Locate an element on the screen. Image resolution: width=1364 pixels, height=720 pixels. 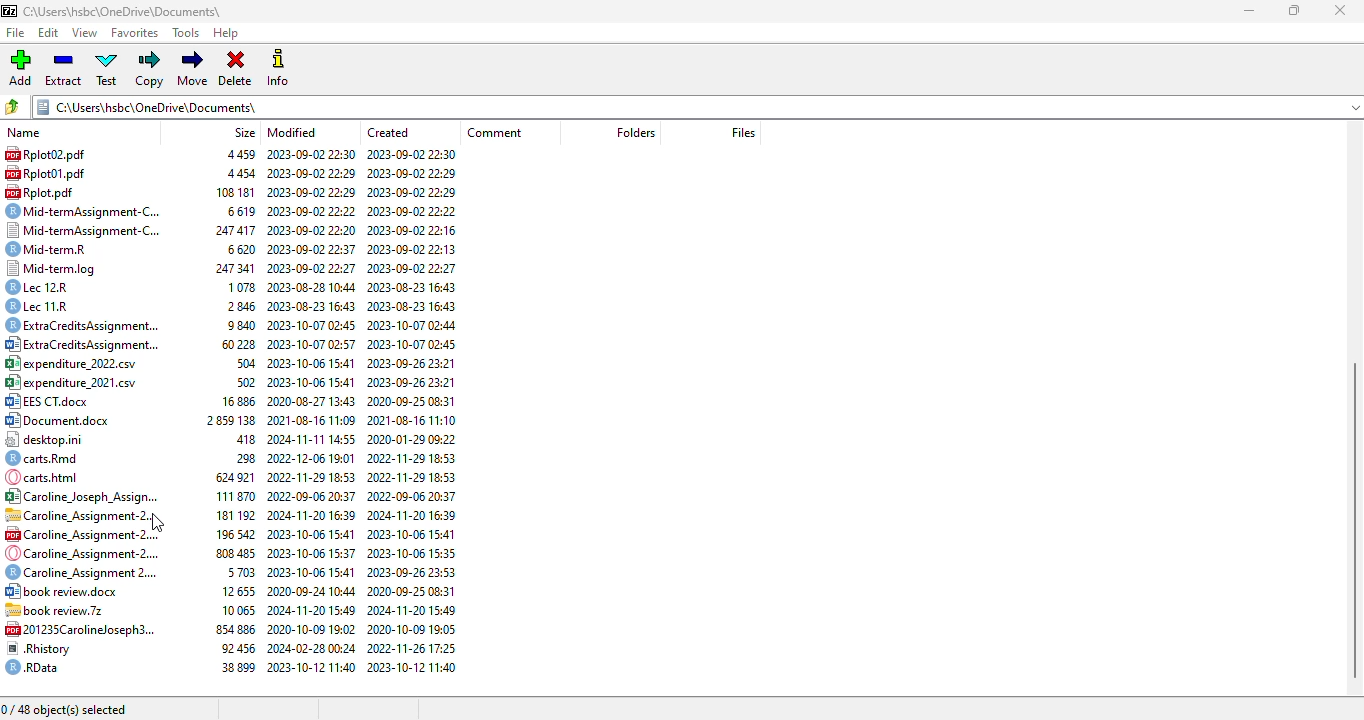
2023-09-02 22:22 is located at coordinates (312, 210).